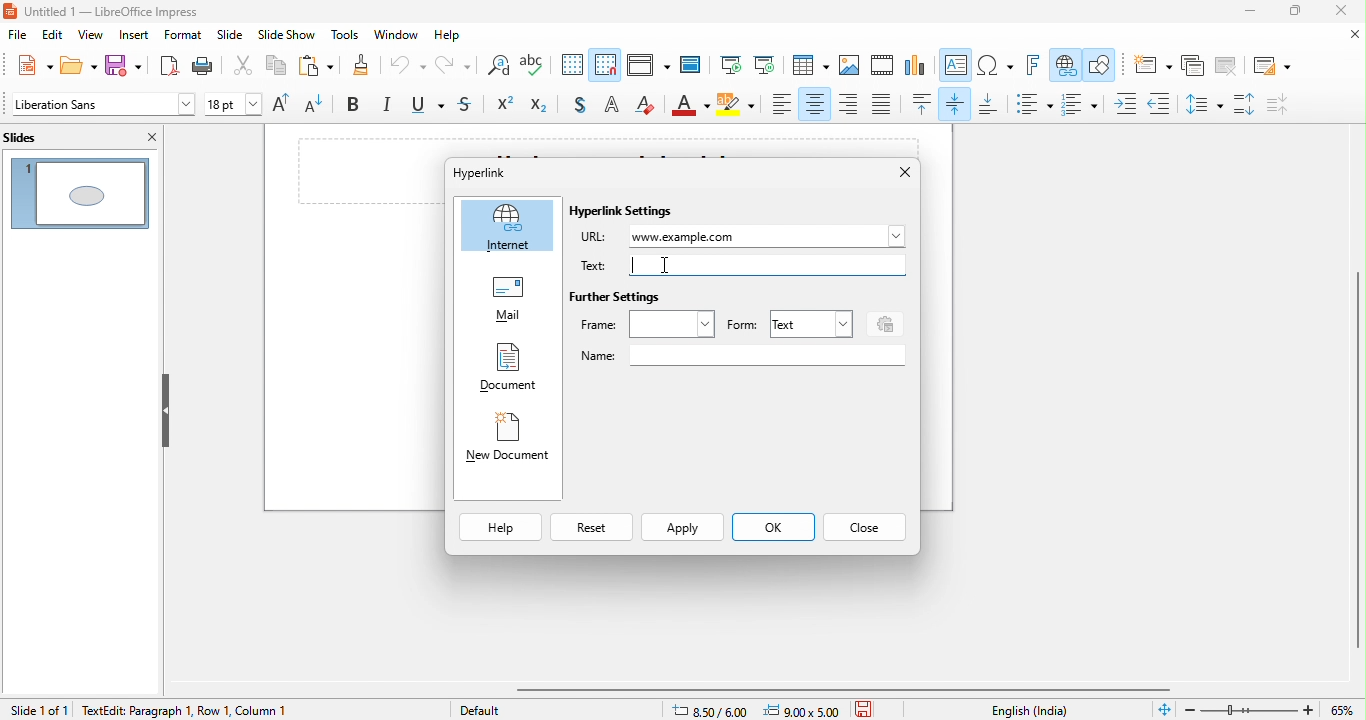 The height and width of the screenshot is (720, 1366). What do you see at coordinates (452, 68) in the screenshot?
I see `redo` at bounding box center [452, 68].